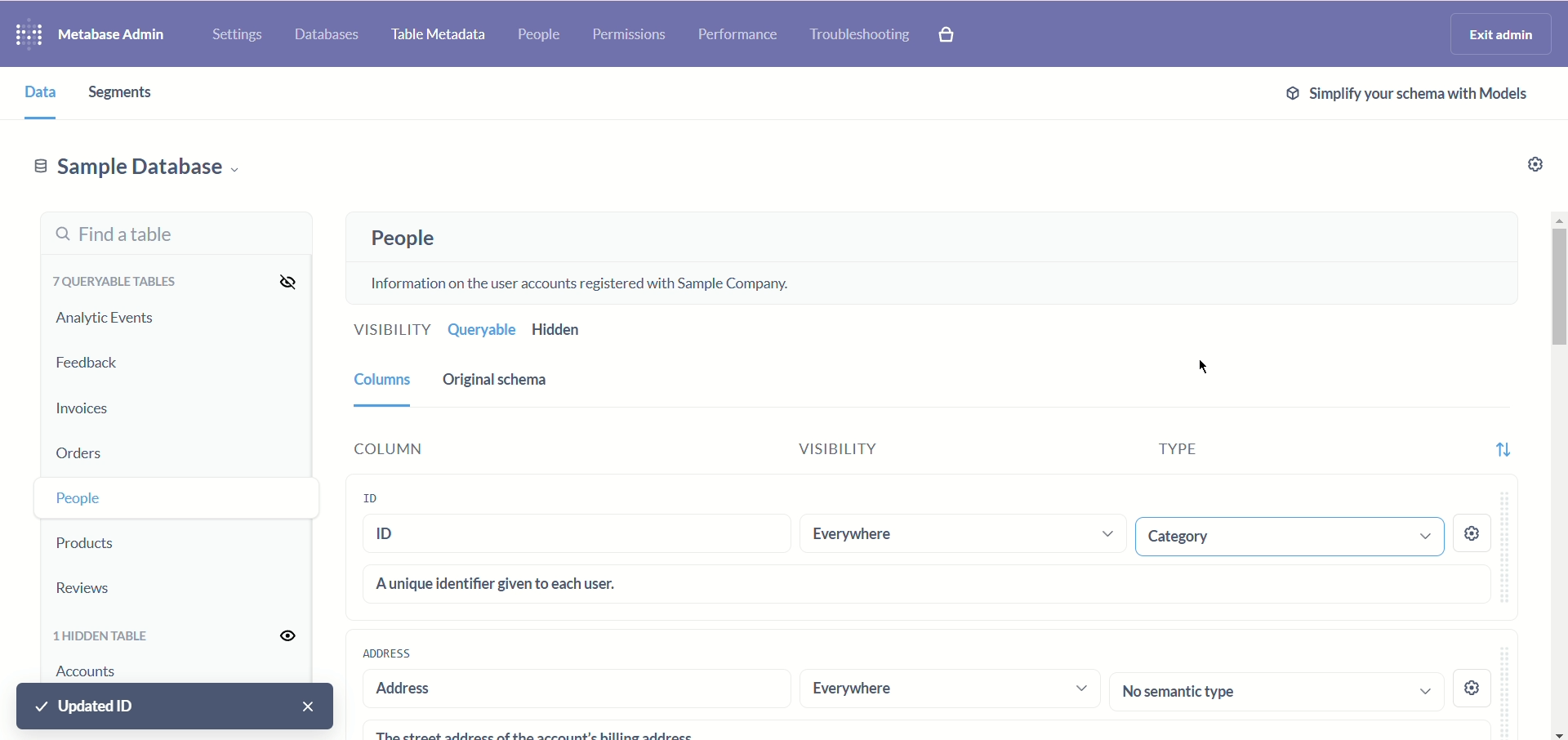 The height and width of the screenshot is (740, 1568). What do you see at coordinates (177, 707) in the screenshot?
I see `Updated ID` at bounding box center [177, 707].